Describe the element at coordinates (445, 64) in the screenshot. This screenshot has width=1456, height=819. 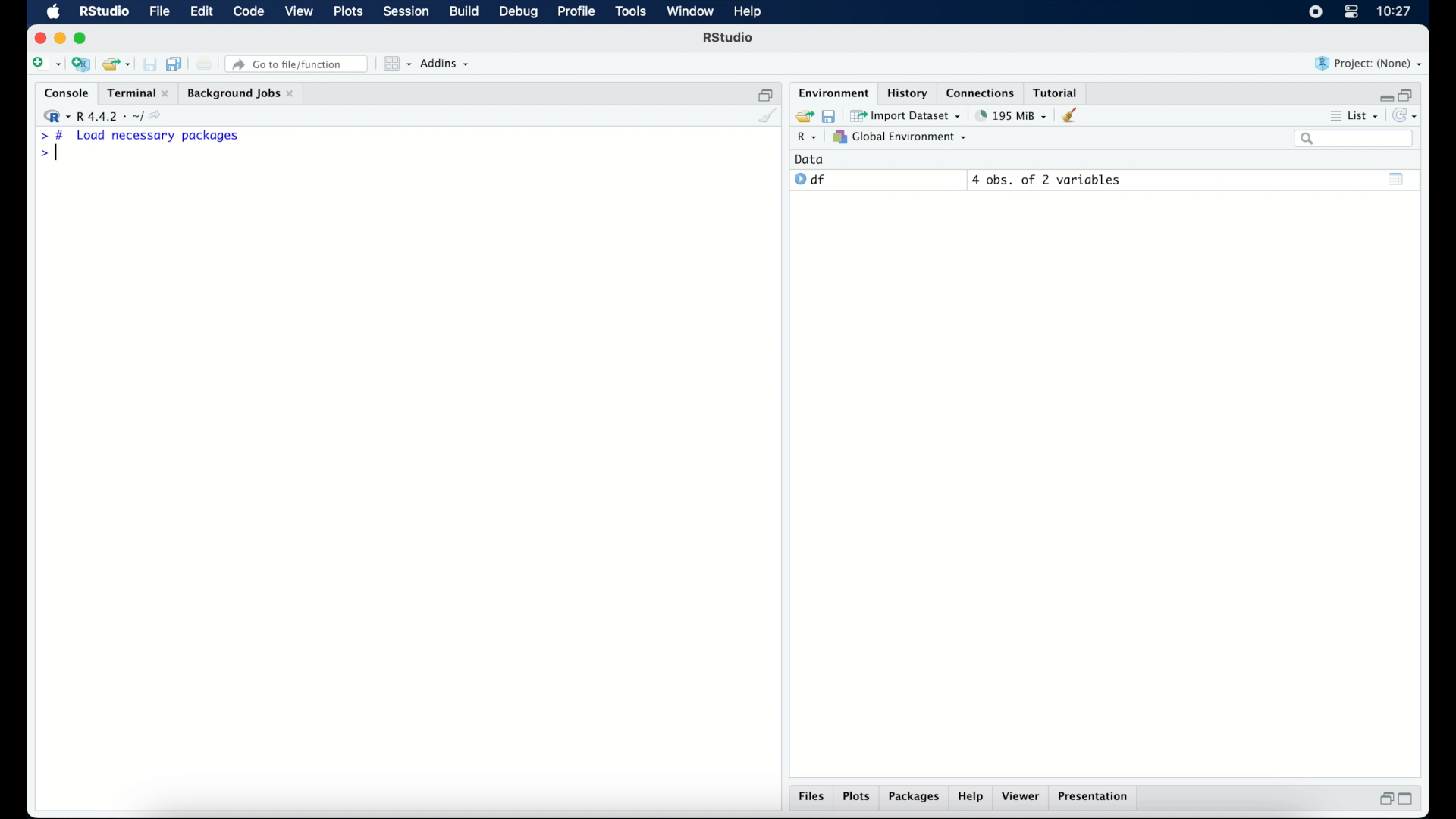
I see `addins` at that location.